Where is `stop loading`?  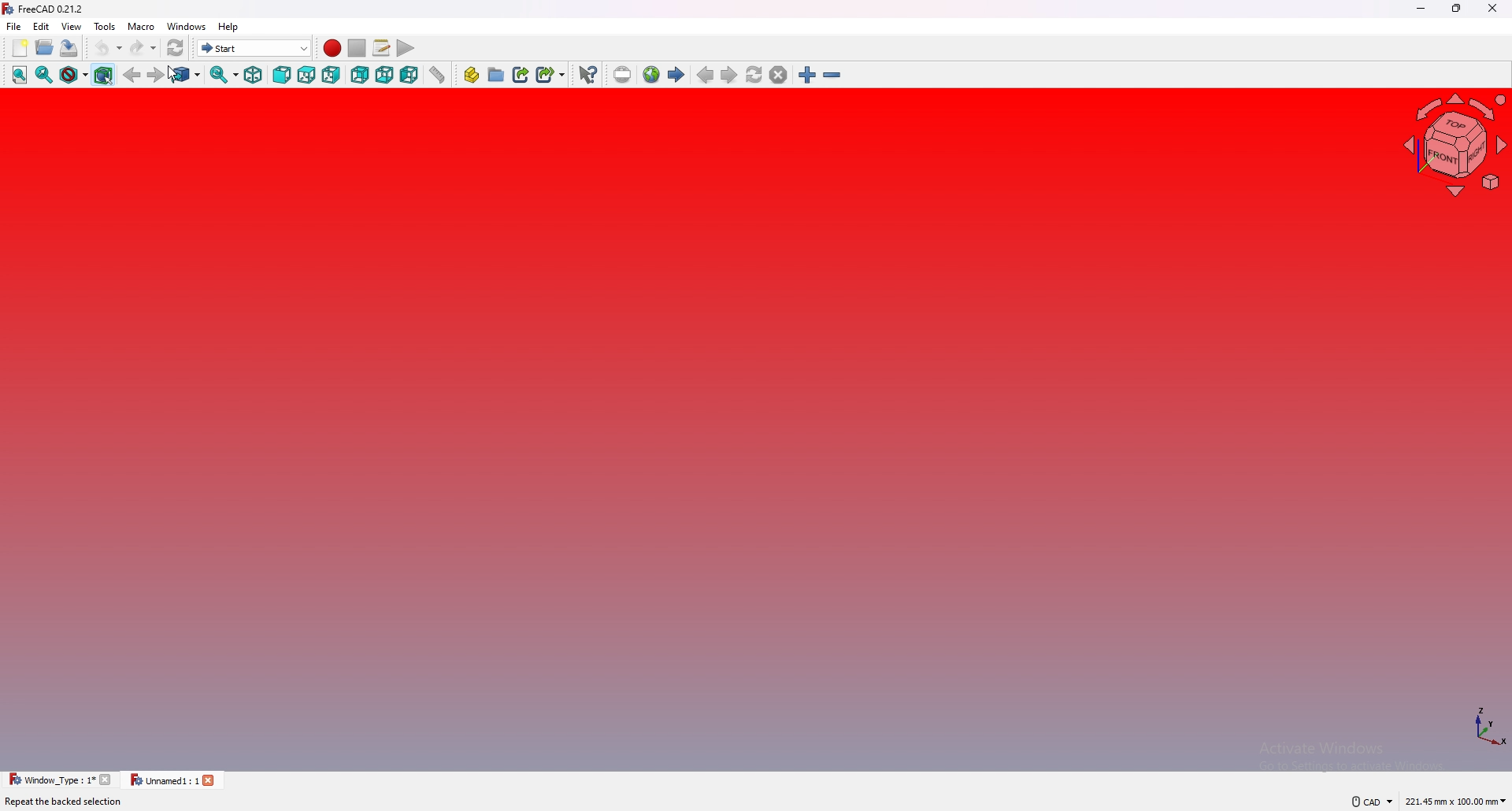
stop loading is located at coordinates (777, 74).